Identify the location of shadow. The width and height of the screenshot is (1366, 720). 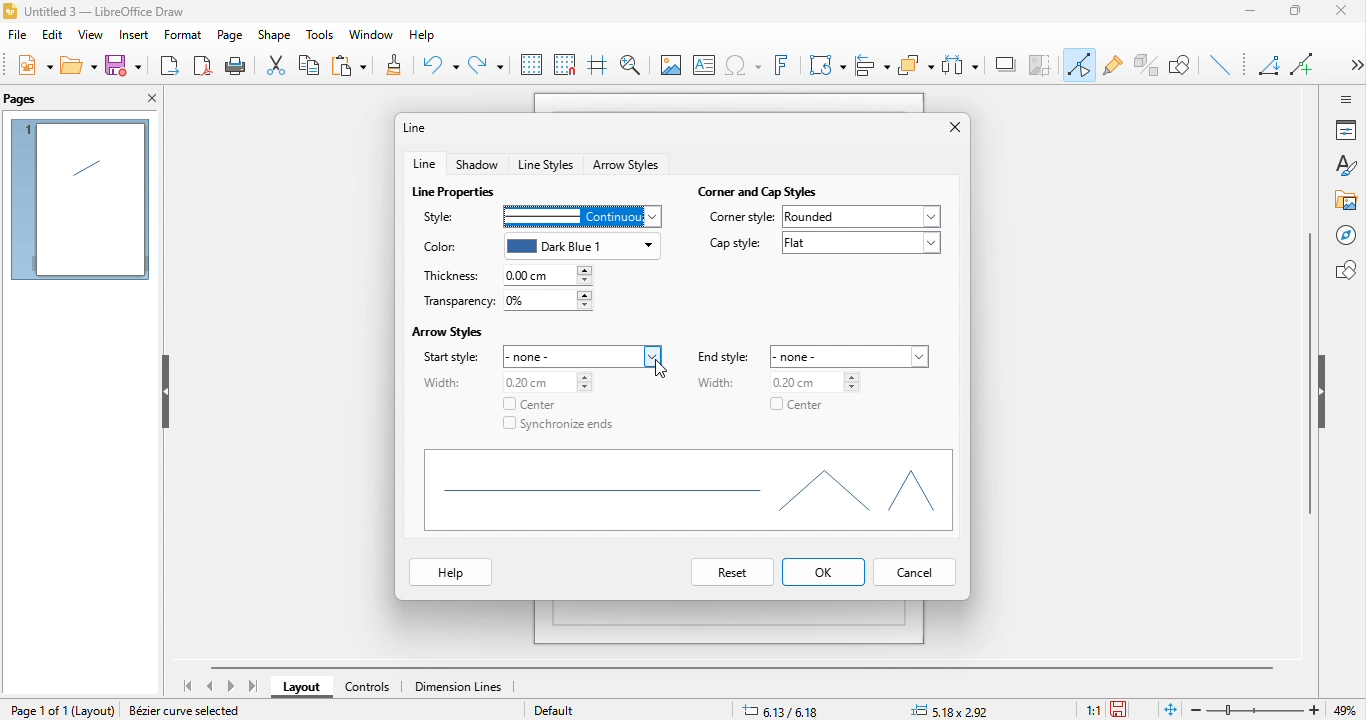
(1007, 65).